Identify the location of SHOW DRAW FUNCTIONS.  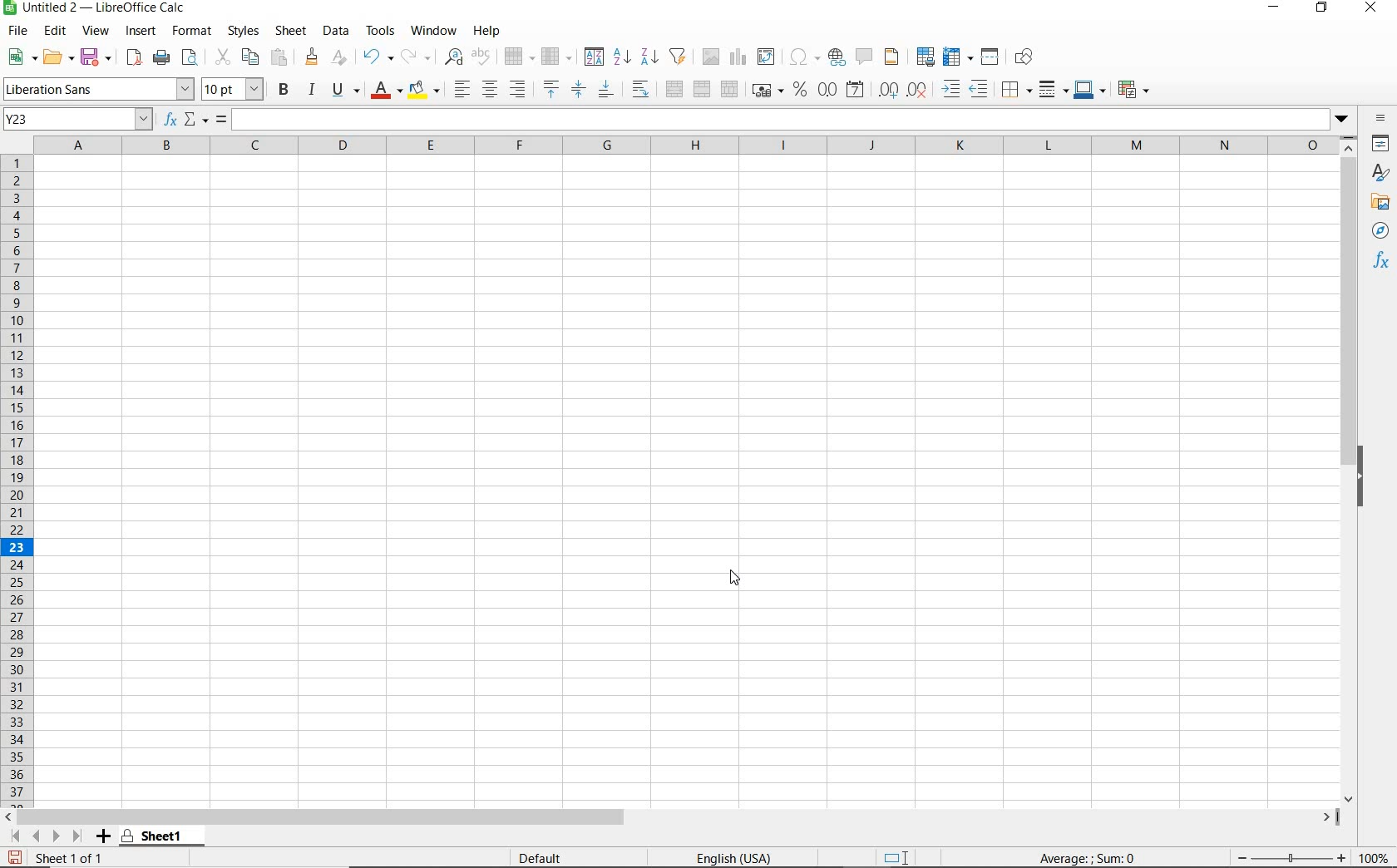
(1028, 57).